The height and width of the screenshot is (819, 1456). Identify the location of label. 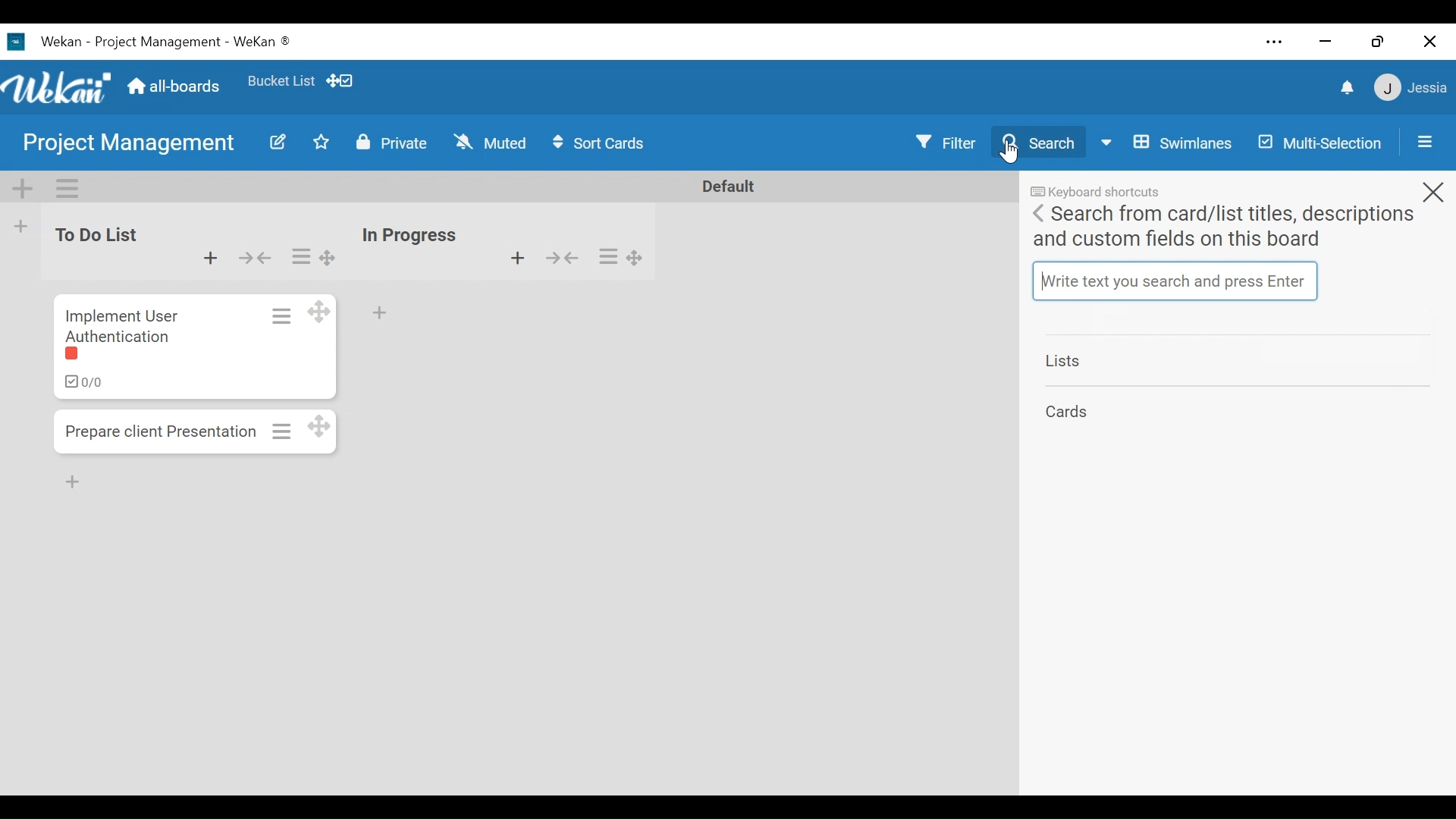
(78, 356).